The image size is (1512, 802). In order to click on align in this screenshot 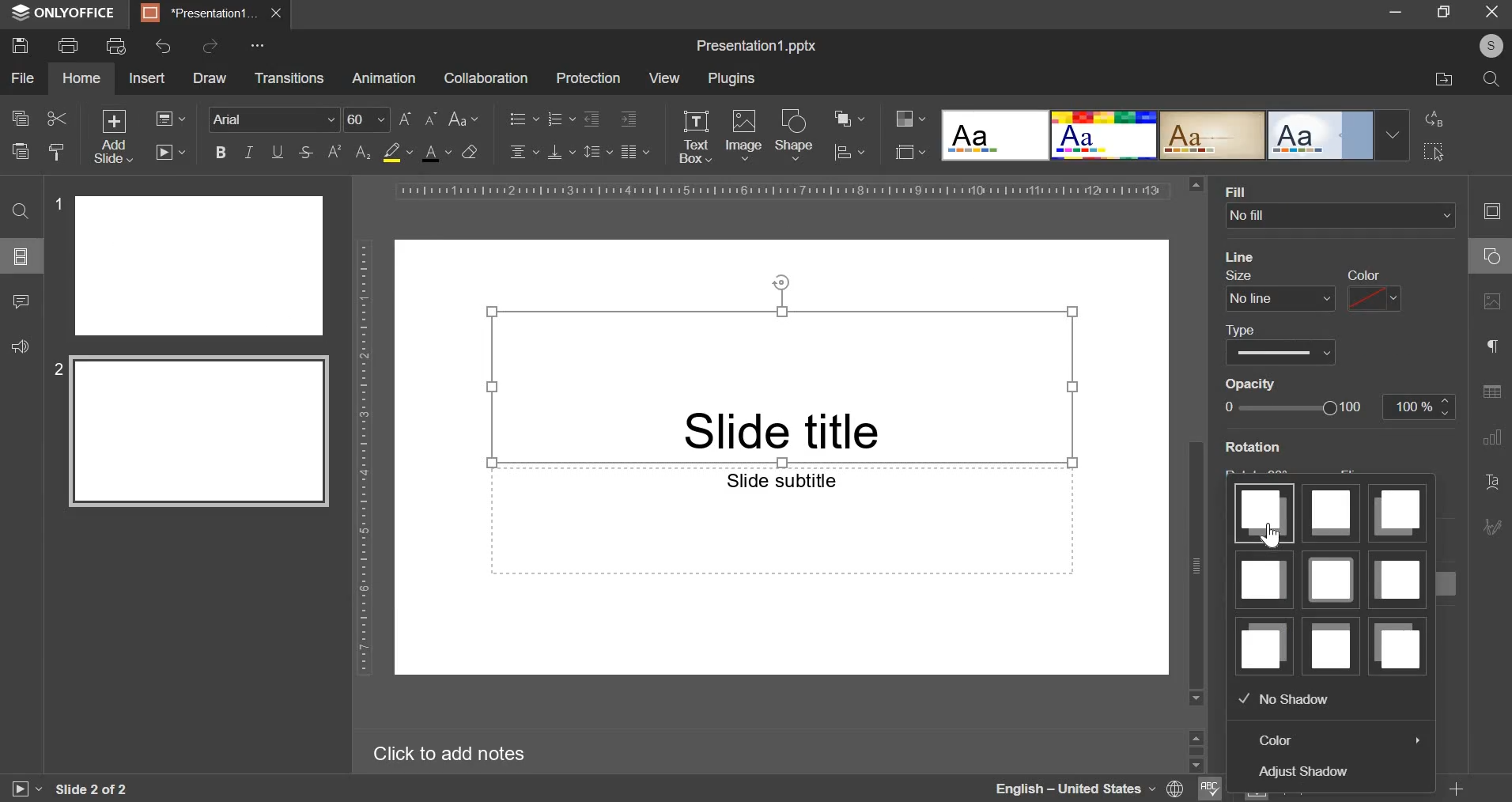, I will do `click(850, 153)`.